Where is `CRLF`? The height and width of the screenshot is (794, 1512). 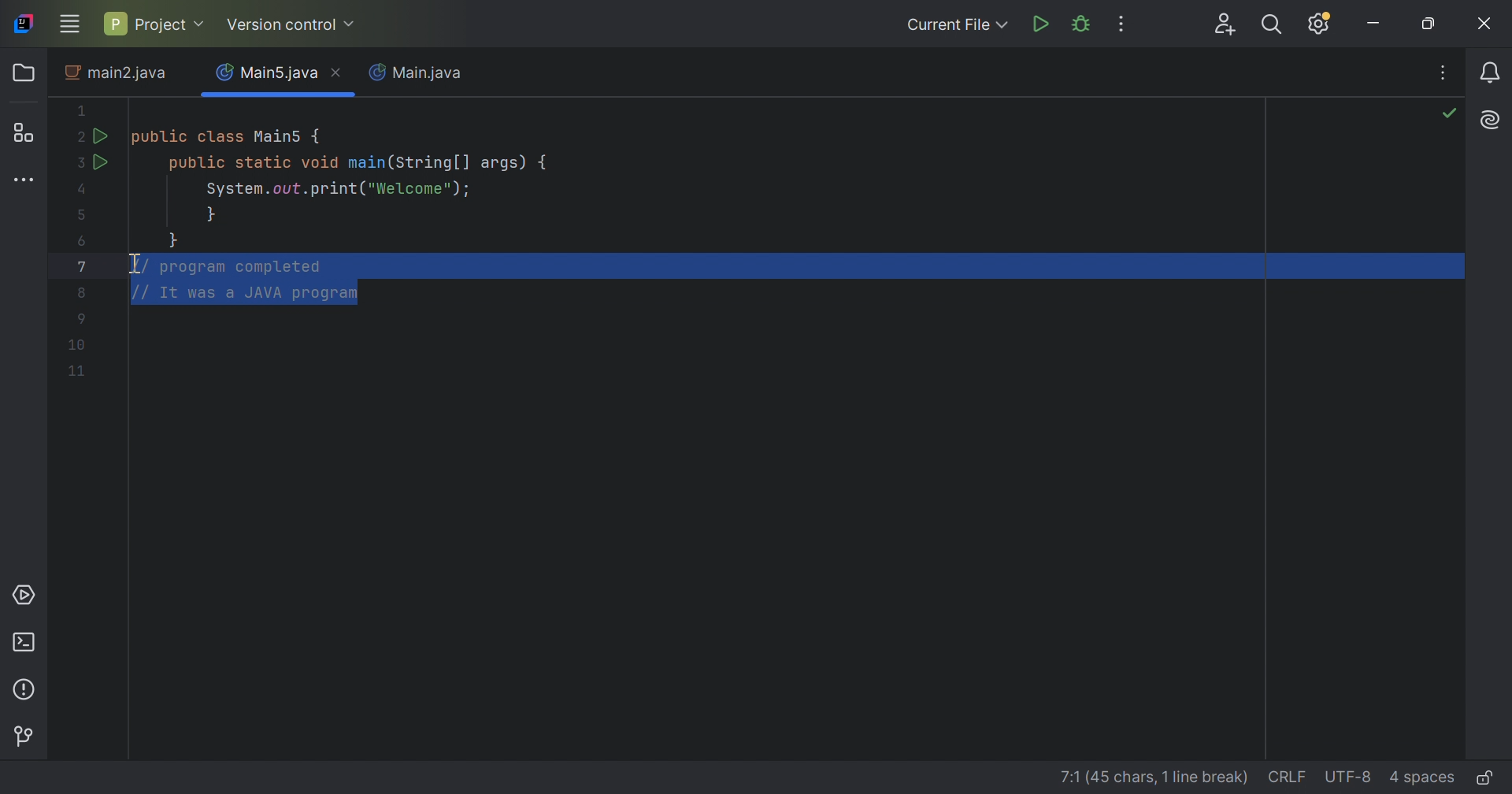 CRLF is located at coordinates (1284, 777).